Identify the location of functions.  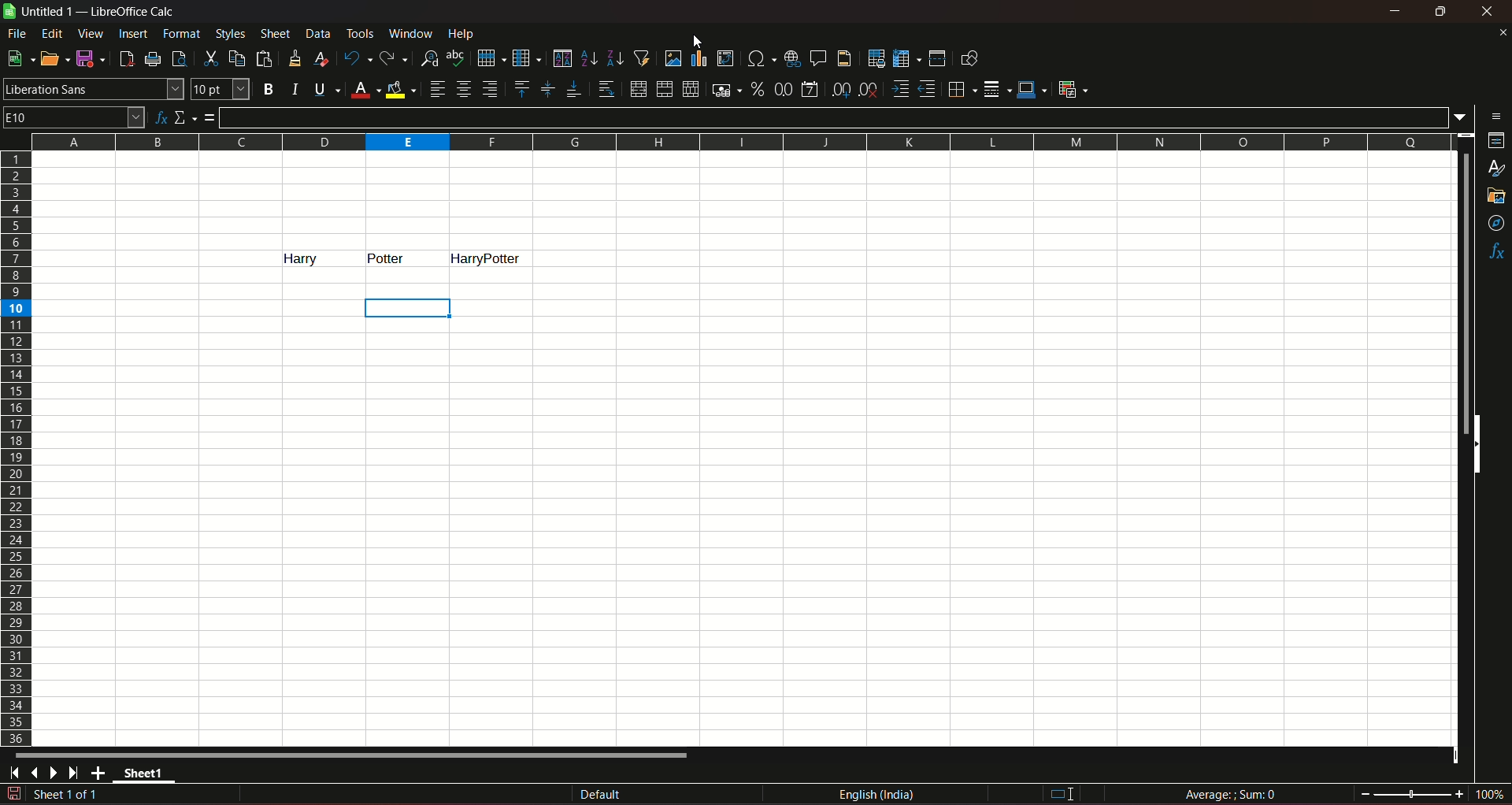
(1496, 253).